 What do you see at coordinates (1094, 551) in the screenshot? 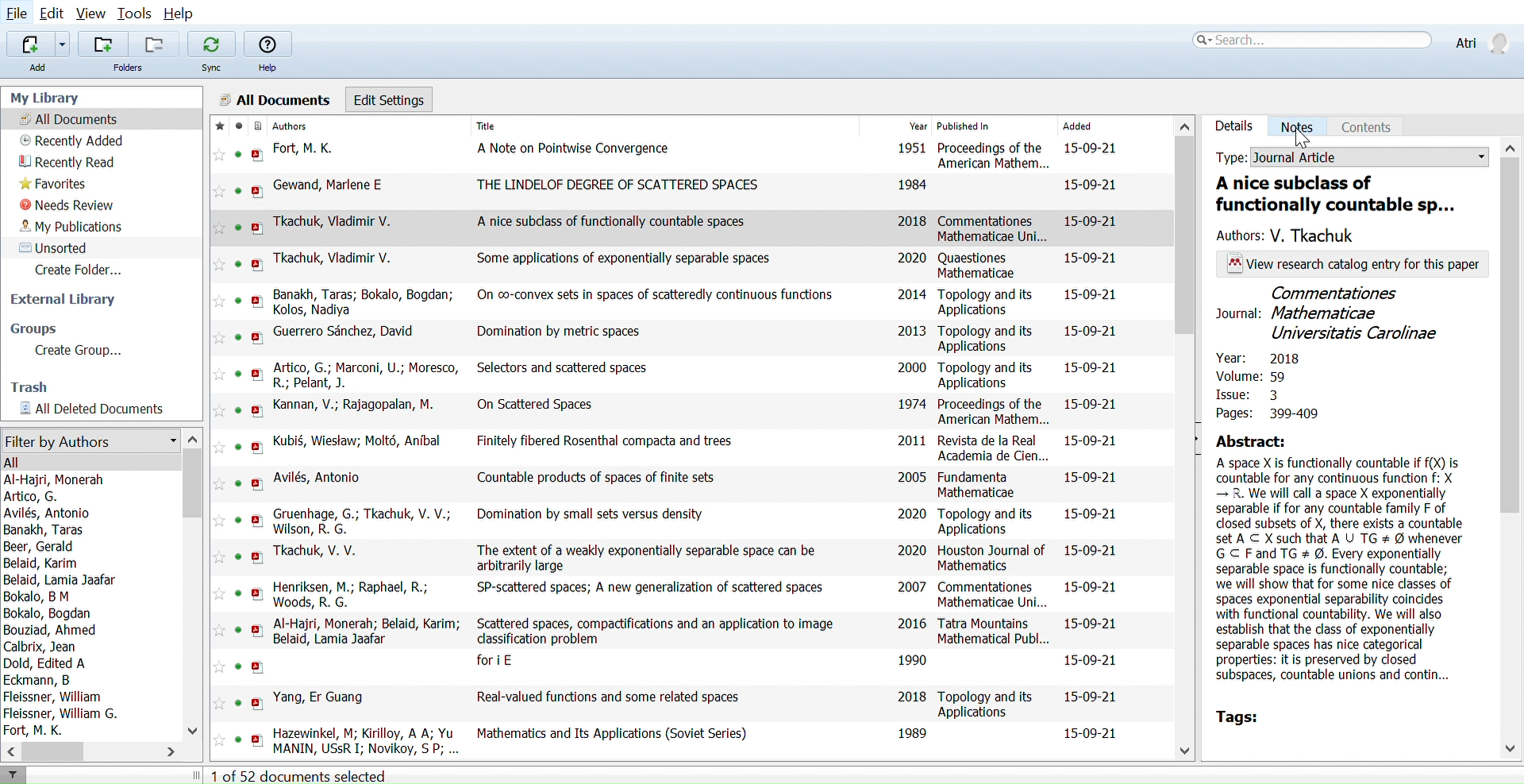
I see `15-09-21` at bounding box center [1094, 551].